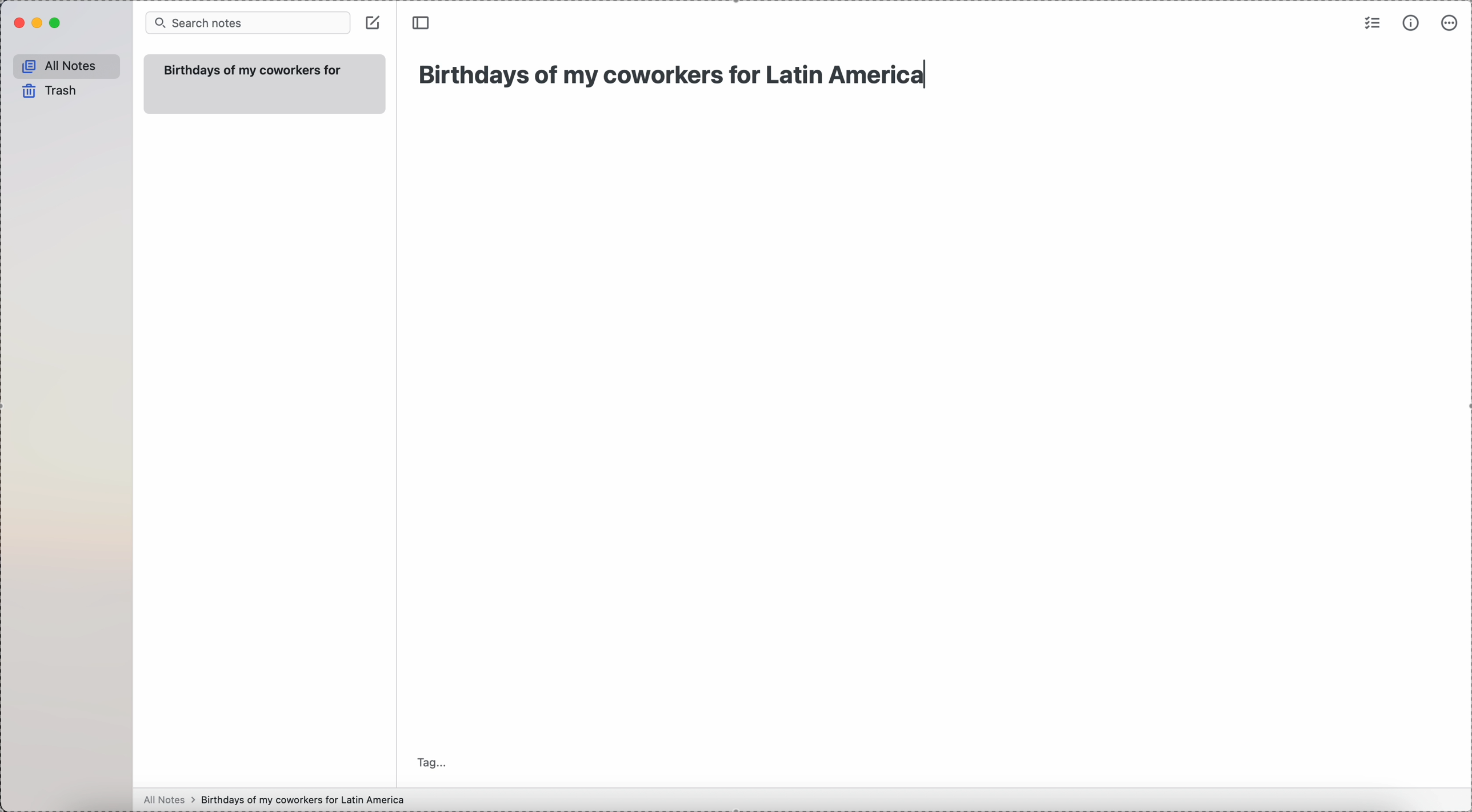 Image resolution: width=1472 pixels, height=812 pixels. I want to click on close Simplenote, so click(18, 23).